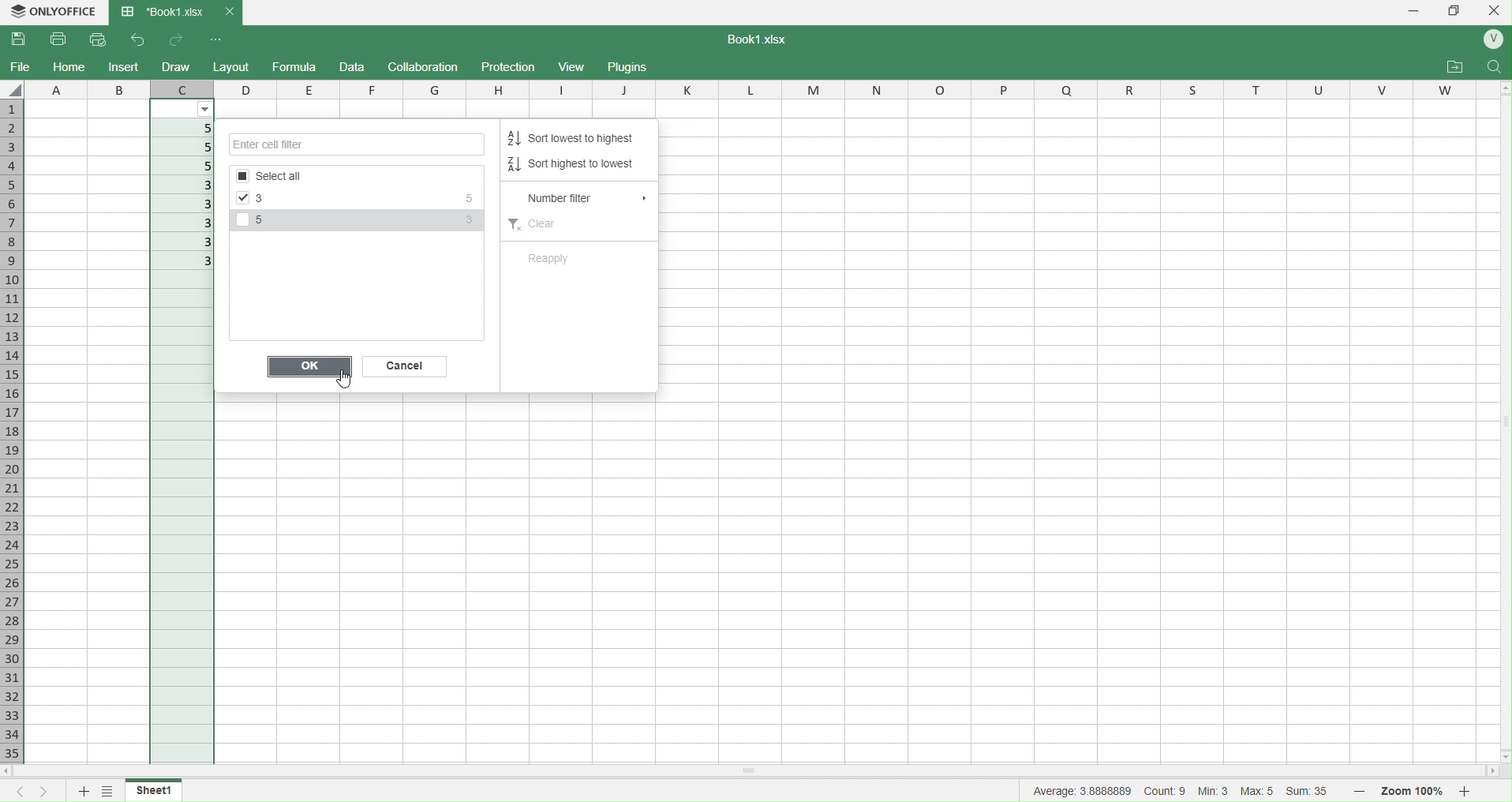 The height and width of the screenshot is (802, 1512). What do you see at coordinates (1496, 10) in the screenshot?
I see `Close` at bounding box center [1496, 10].